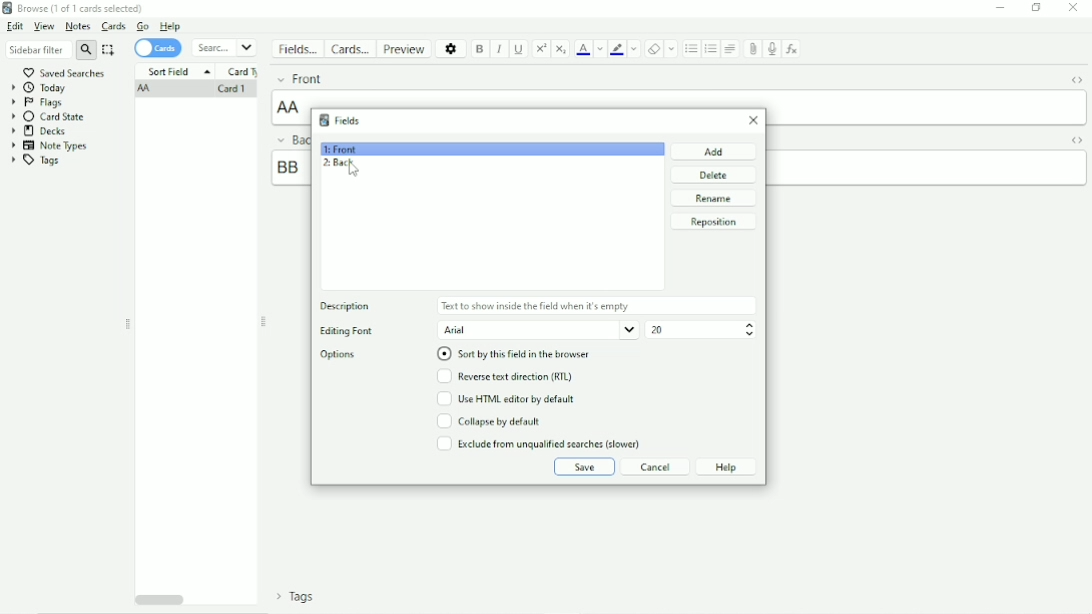  Describe the element at coordinates (405, 49) in the screenshot. I see `Preview` at that location.